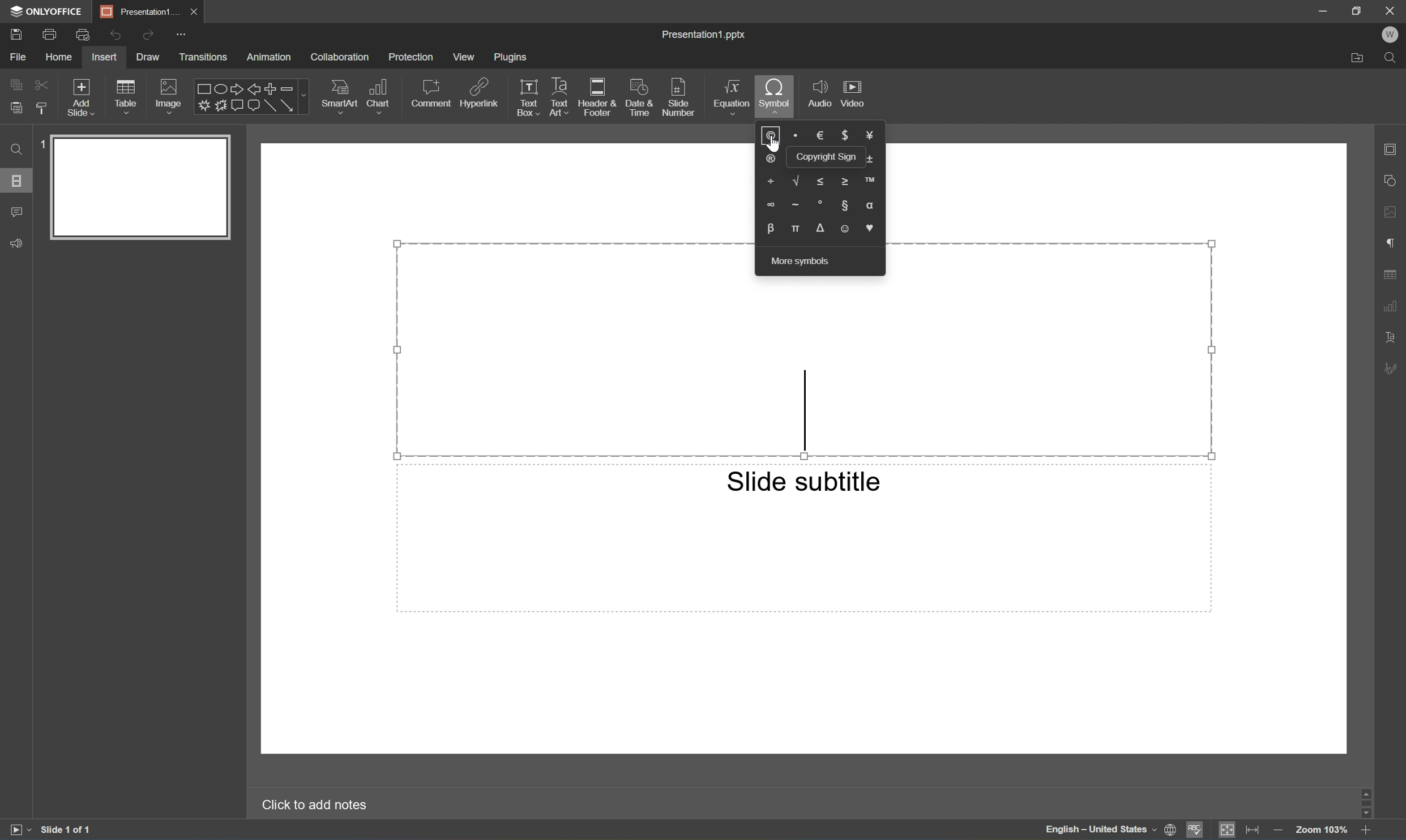 The width and height of the screenshot is (1406, 840). What do you see at coordinates (17, 34) in the screenshot?
I see `Save` at bounding box center [17, 34].